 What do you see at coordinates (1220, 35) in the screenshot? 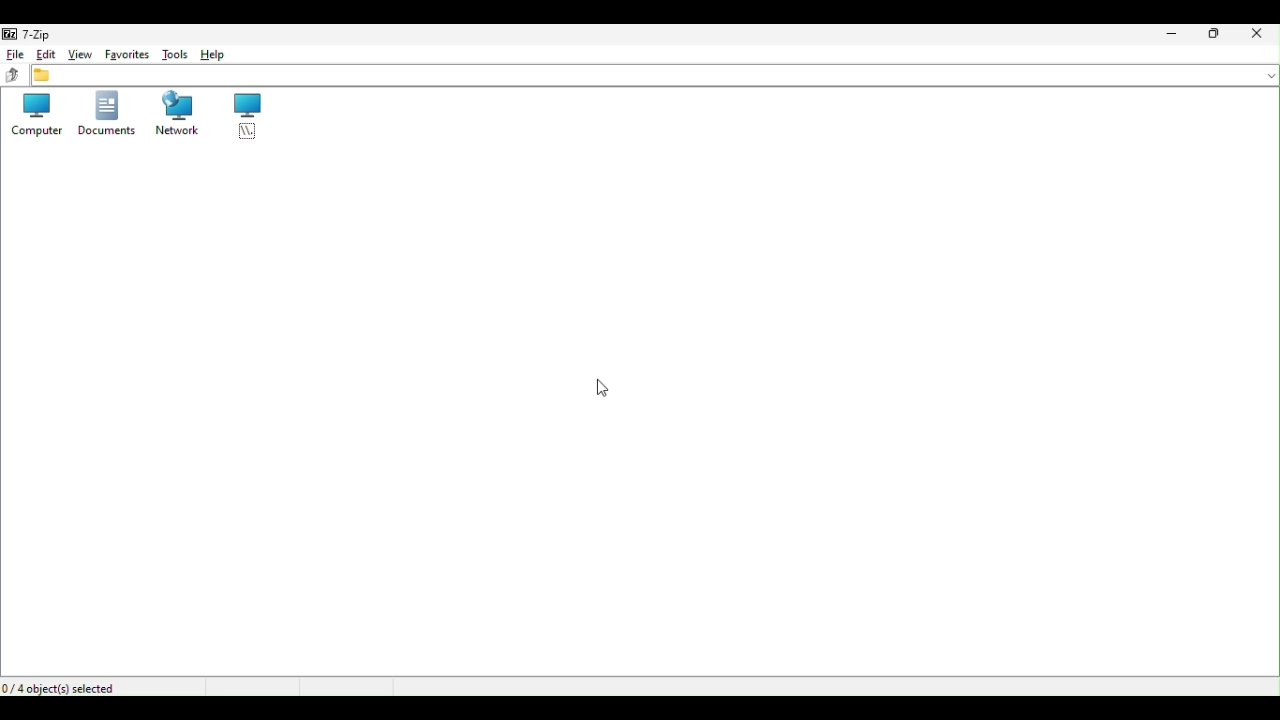
I see `restore ` at bounding box center [1220, 35].